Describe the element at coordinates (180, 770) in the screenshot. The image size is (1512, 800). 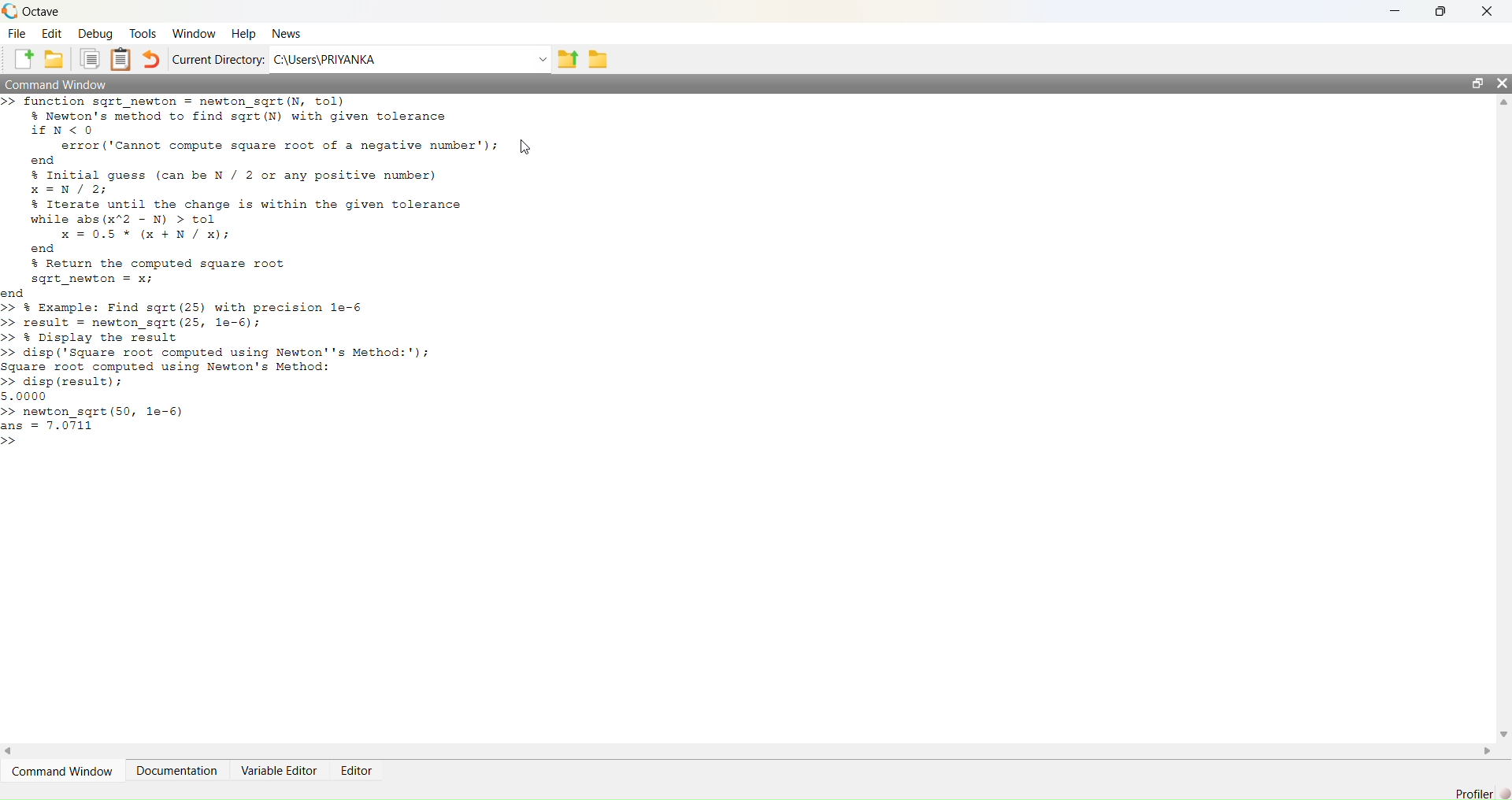
I see `Documentation` at that location.